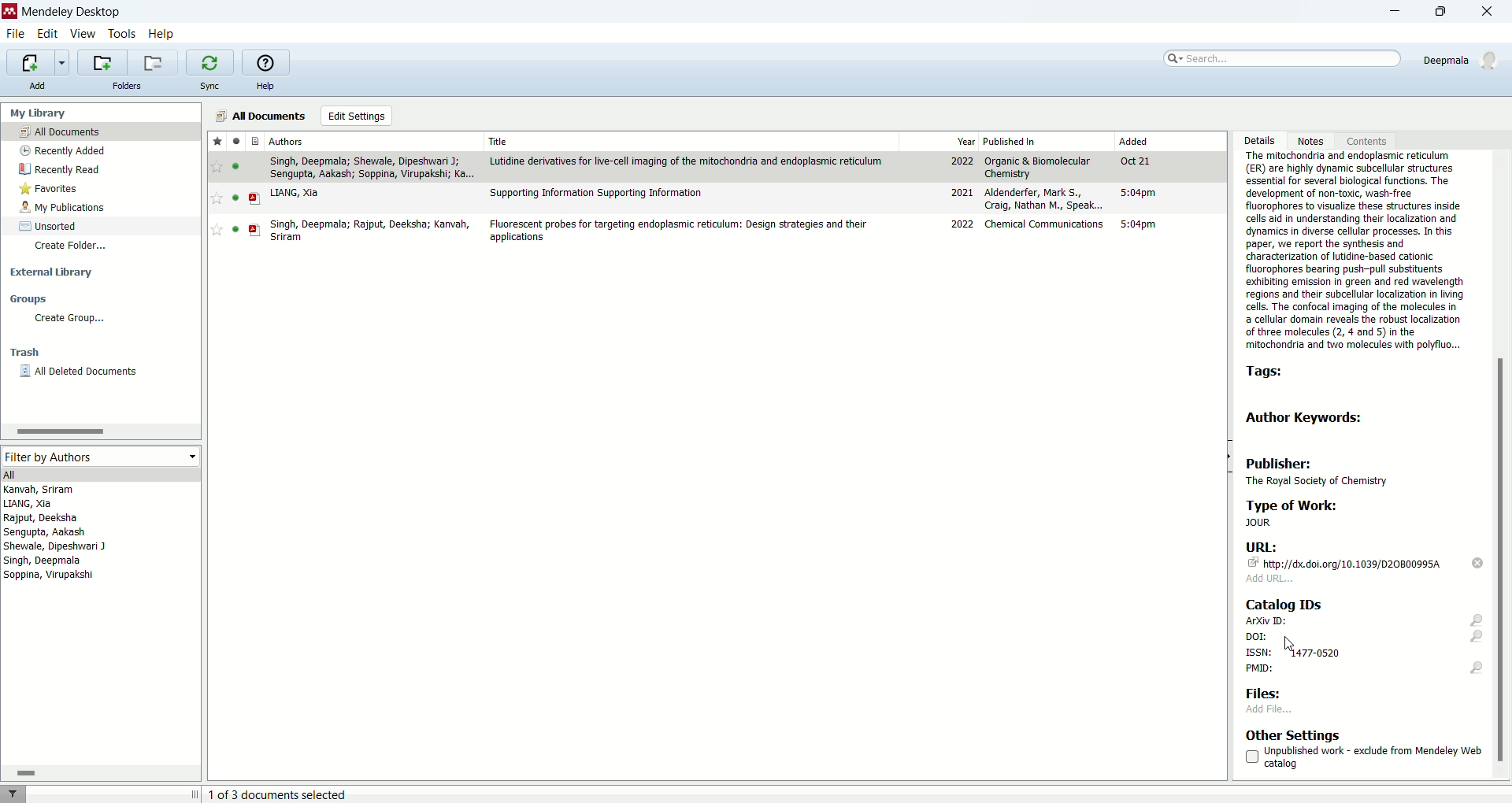 This screenshot has height=803, width=1512. Describe the element at coordinates (50, 189) in the screenshot. I see `favorites` at that location.